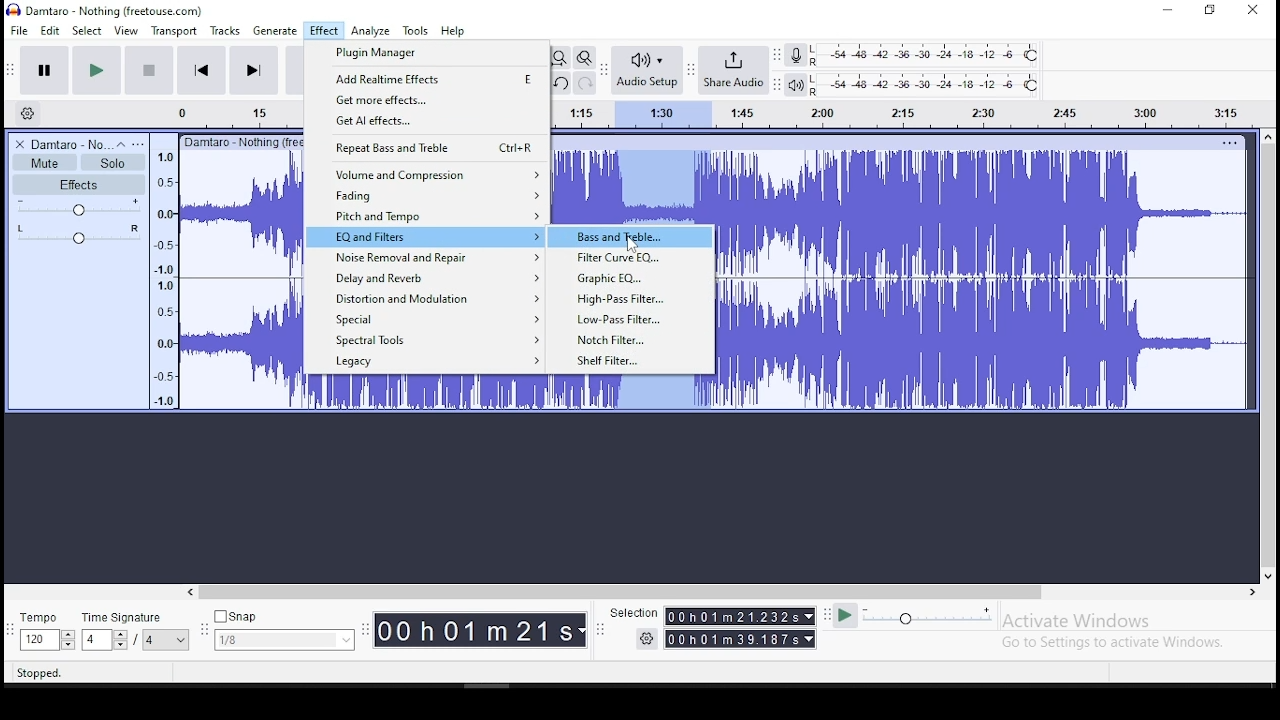  I want to click on redo, so click(585, 82).